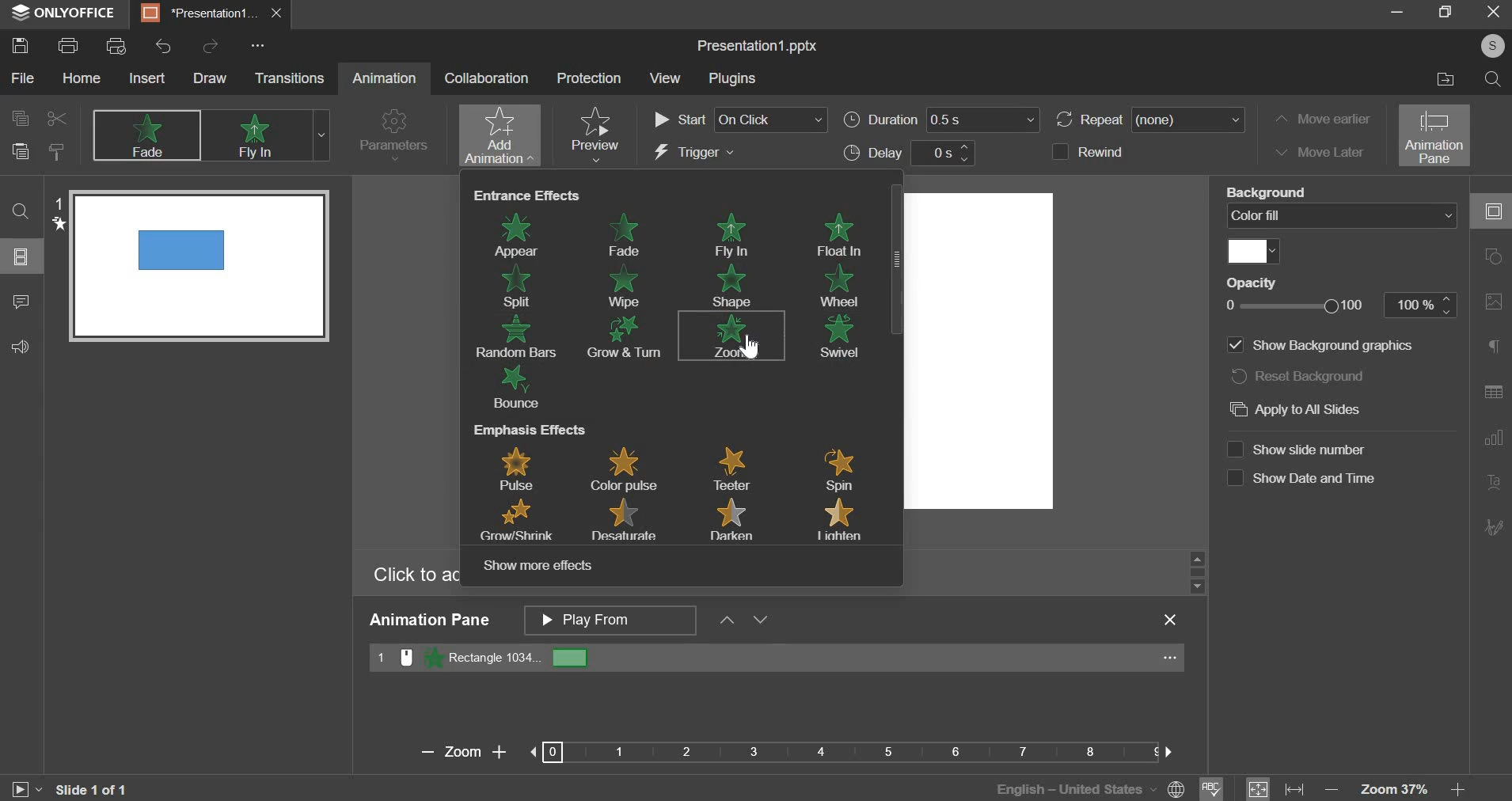 The height and width of the screenshot is (801, 1512). I want to click on color fill, so click(1341, 216).